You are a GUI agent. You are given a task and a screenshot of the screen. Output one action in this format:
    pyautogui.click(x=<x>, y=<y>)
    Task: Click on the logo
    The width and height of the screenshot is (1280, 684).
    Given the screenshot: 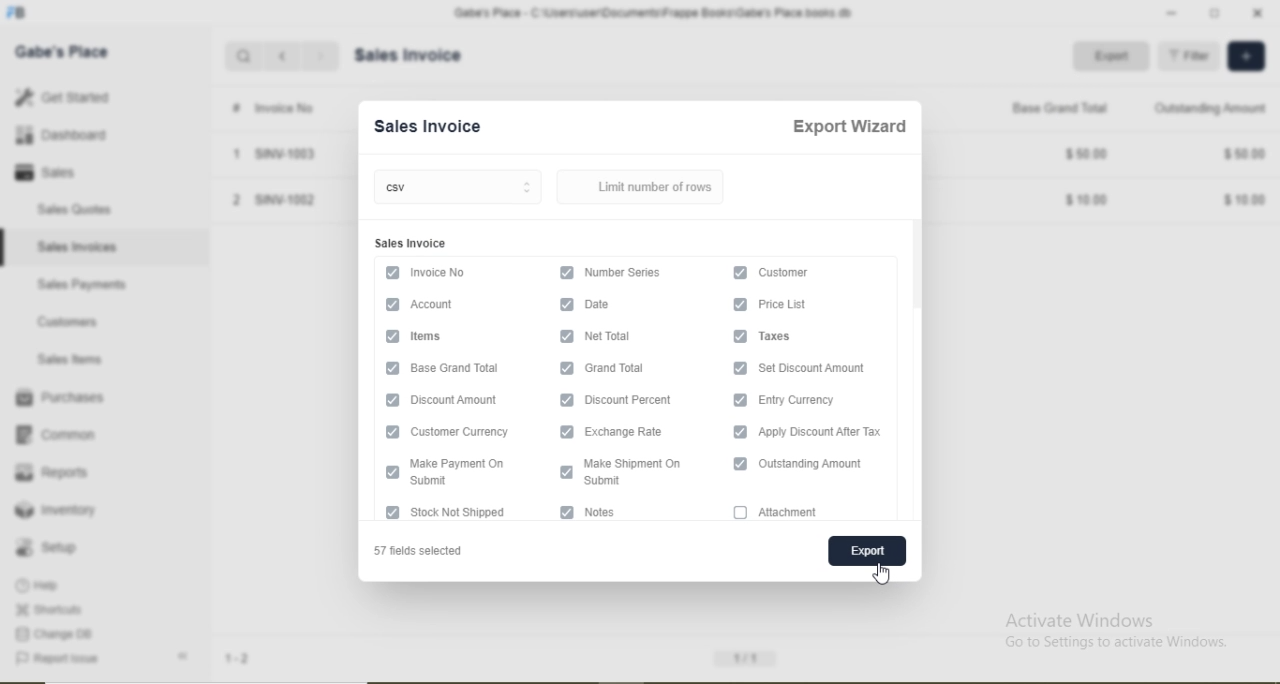 What is the action you would take?
    pyautogui.click(x=25, y=13)
    